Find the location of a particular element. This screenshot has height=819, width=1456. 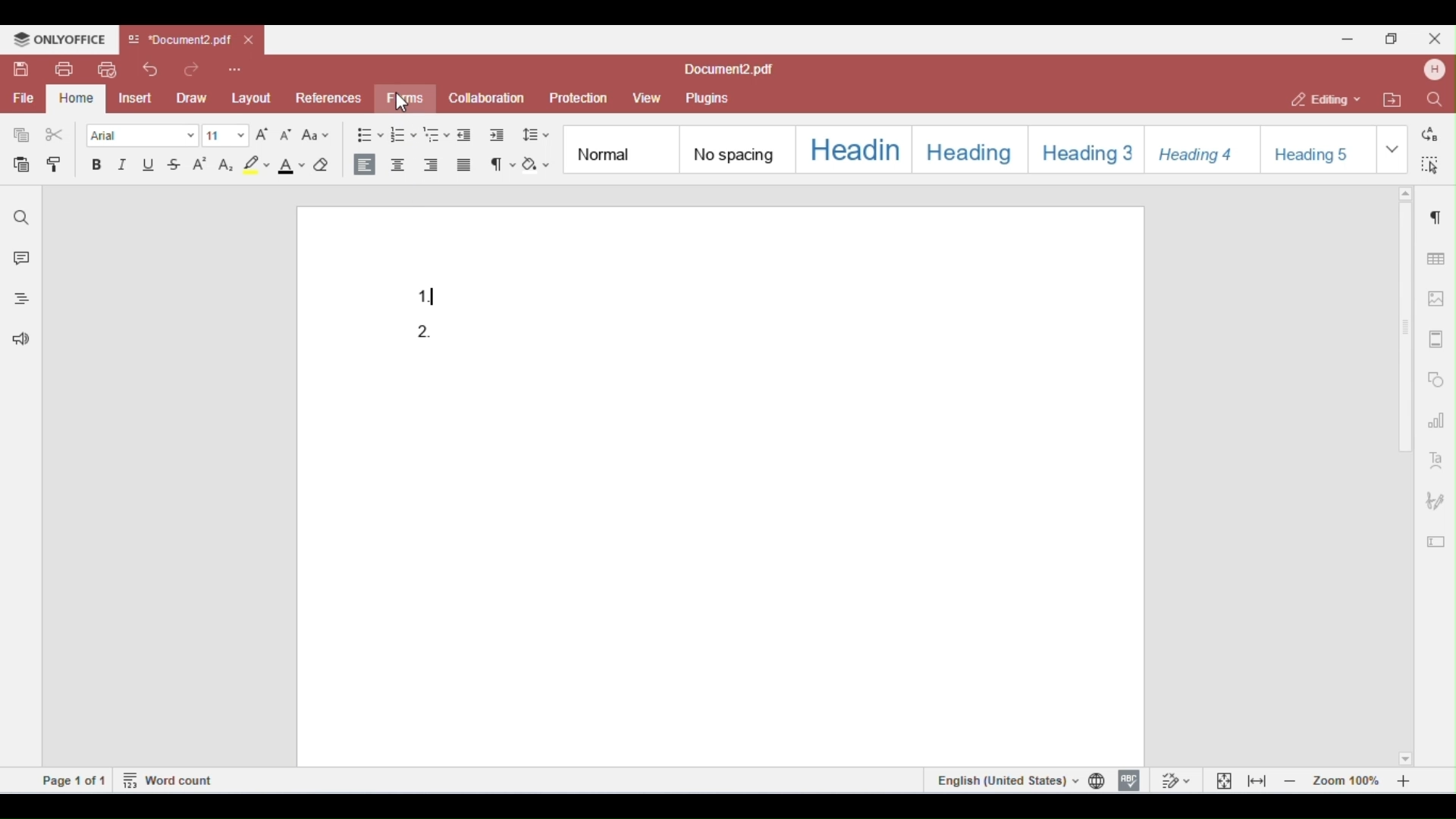

references is located at coordinates (327, 98).